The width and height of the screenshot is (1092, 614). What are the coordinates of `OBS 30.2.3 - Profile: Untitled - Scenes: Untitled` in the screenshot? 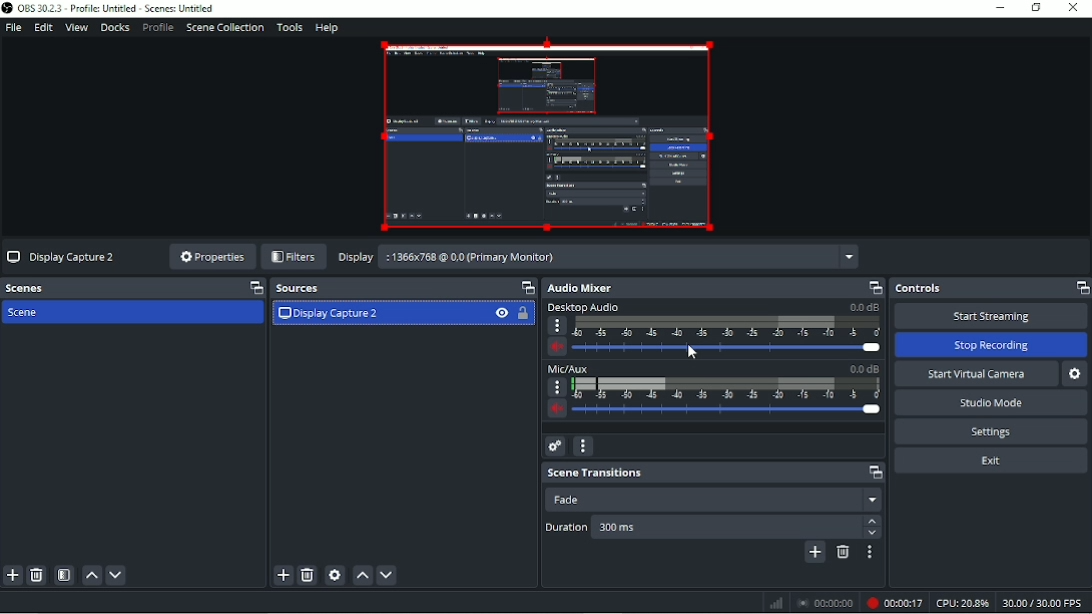 It's located at (114, 8).